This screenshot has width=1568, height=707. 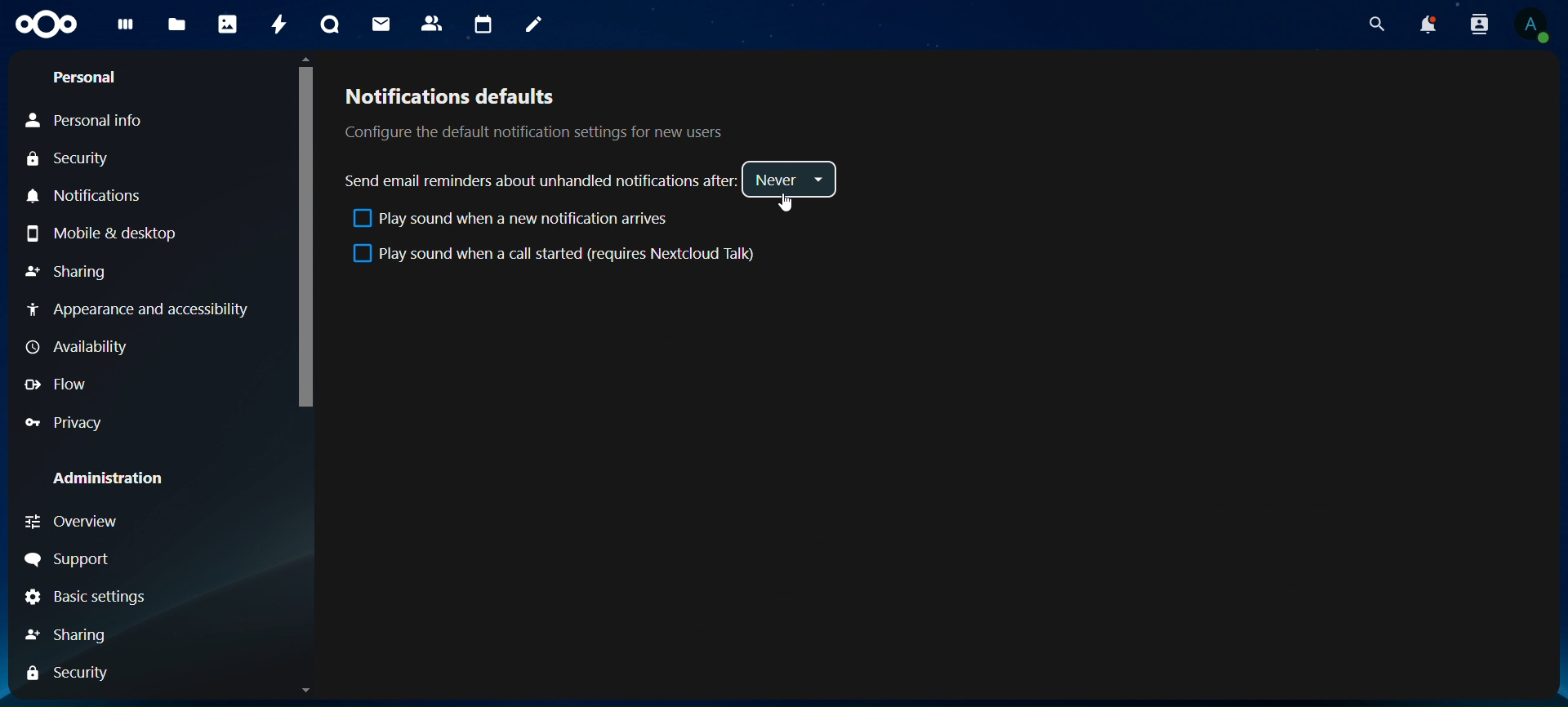 What do you see at coordinates (83, 122) in the screenshot?
I see `Personal Info` at bounding box center [83, 122].